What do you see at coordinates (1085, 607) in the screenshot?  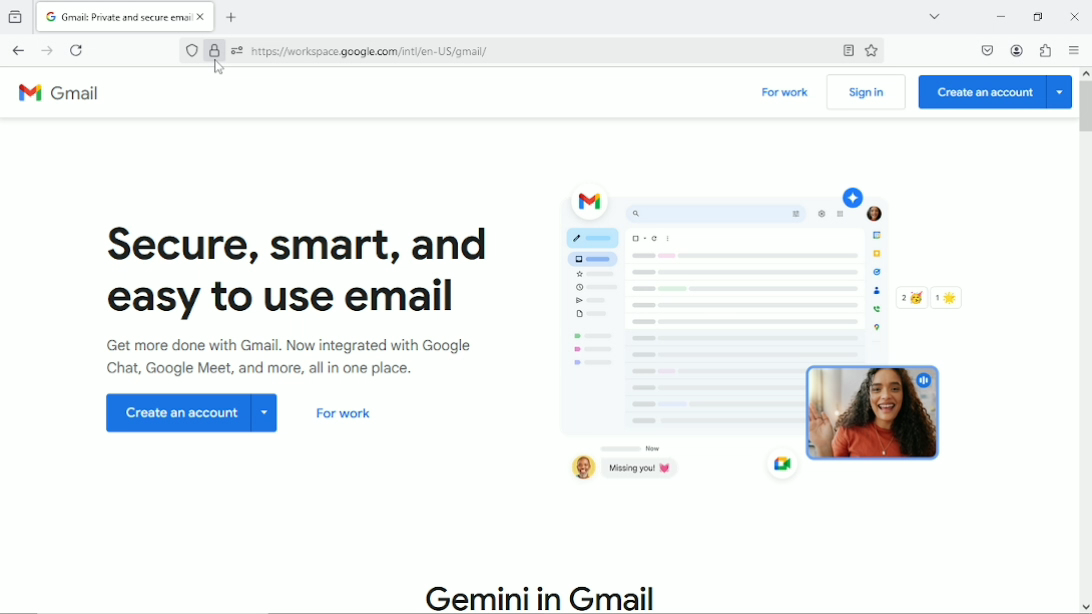 I see `move down` at bounding box center [1085, 607].